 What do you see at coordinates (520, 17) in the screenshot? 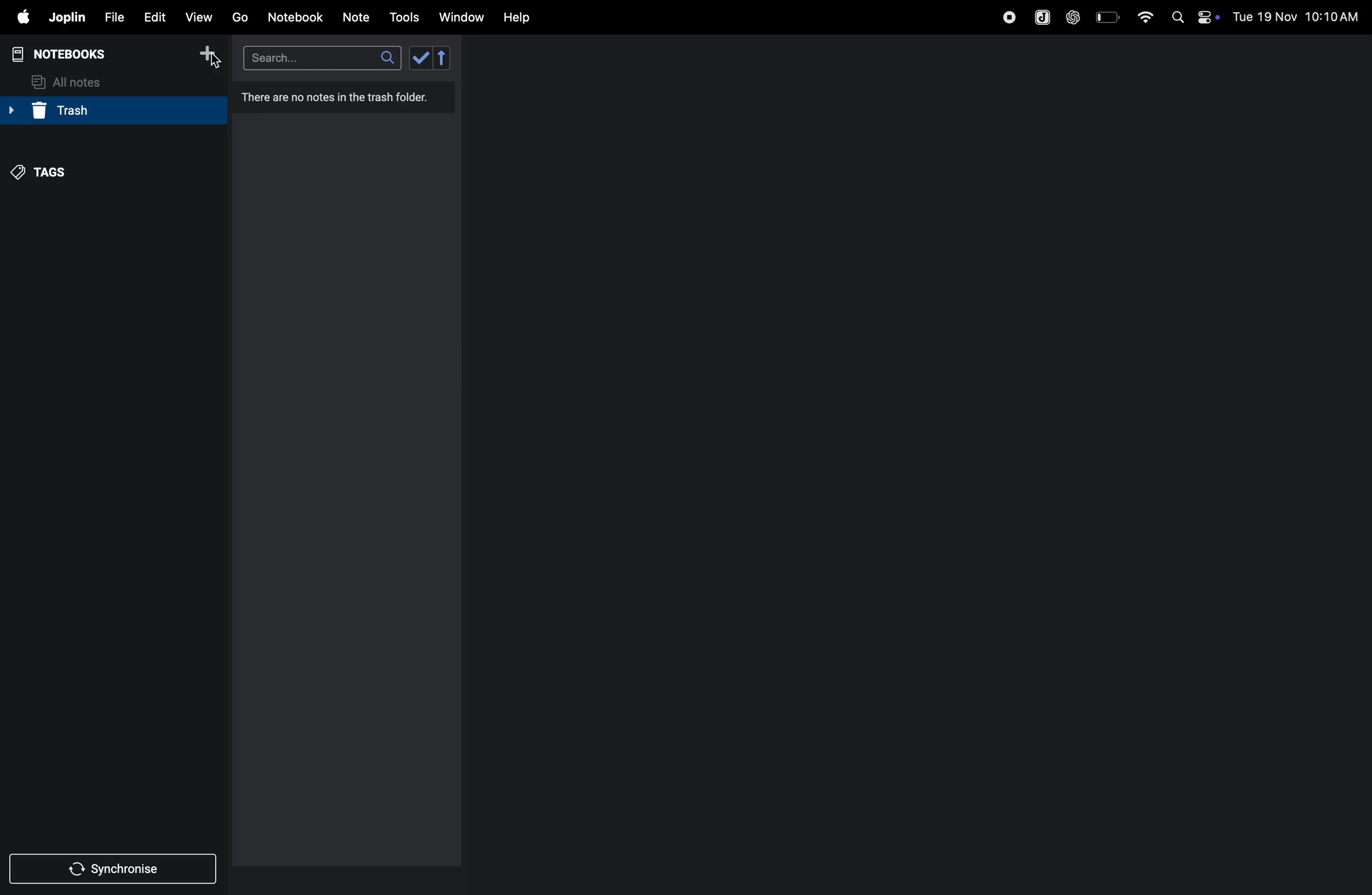
I see `help` at bounding box center [520, 17].